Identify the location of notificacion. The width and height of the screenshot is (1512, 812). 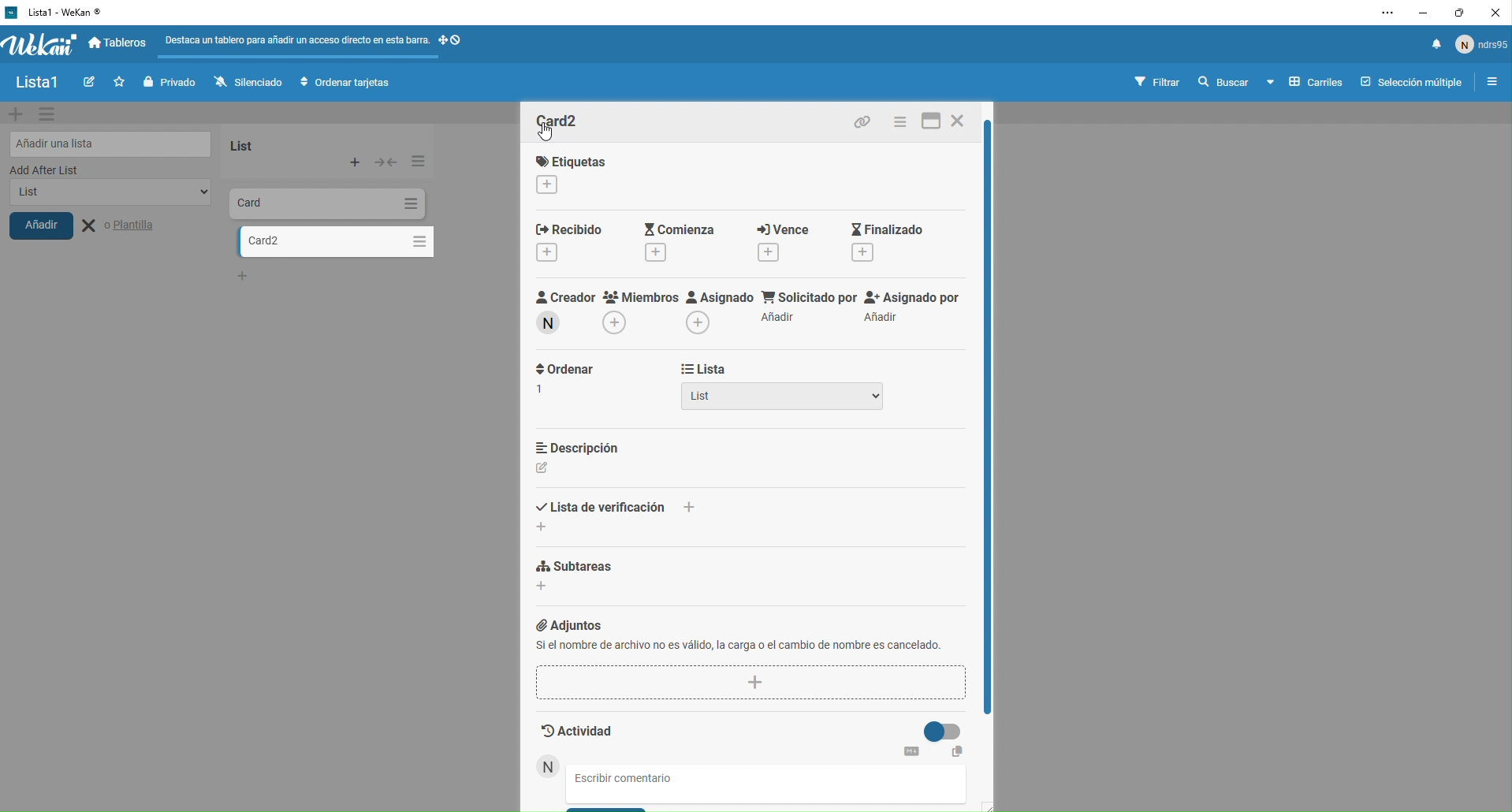
(1431, 48).